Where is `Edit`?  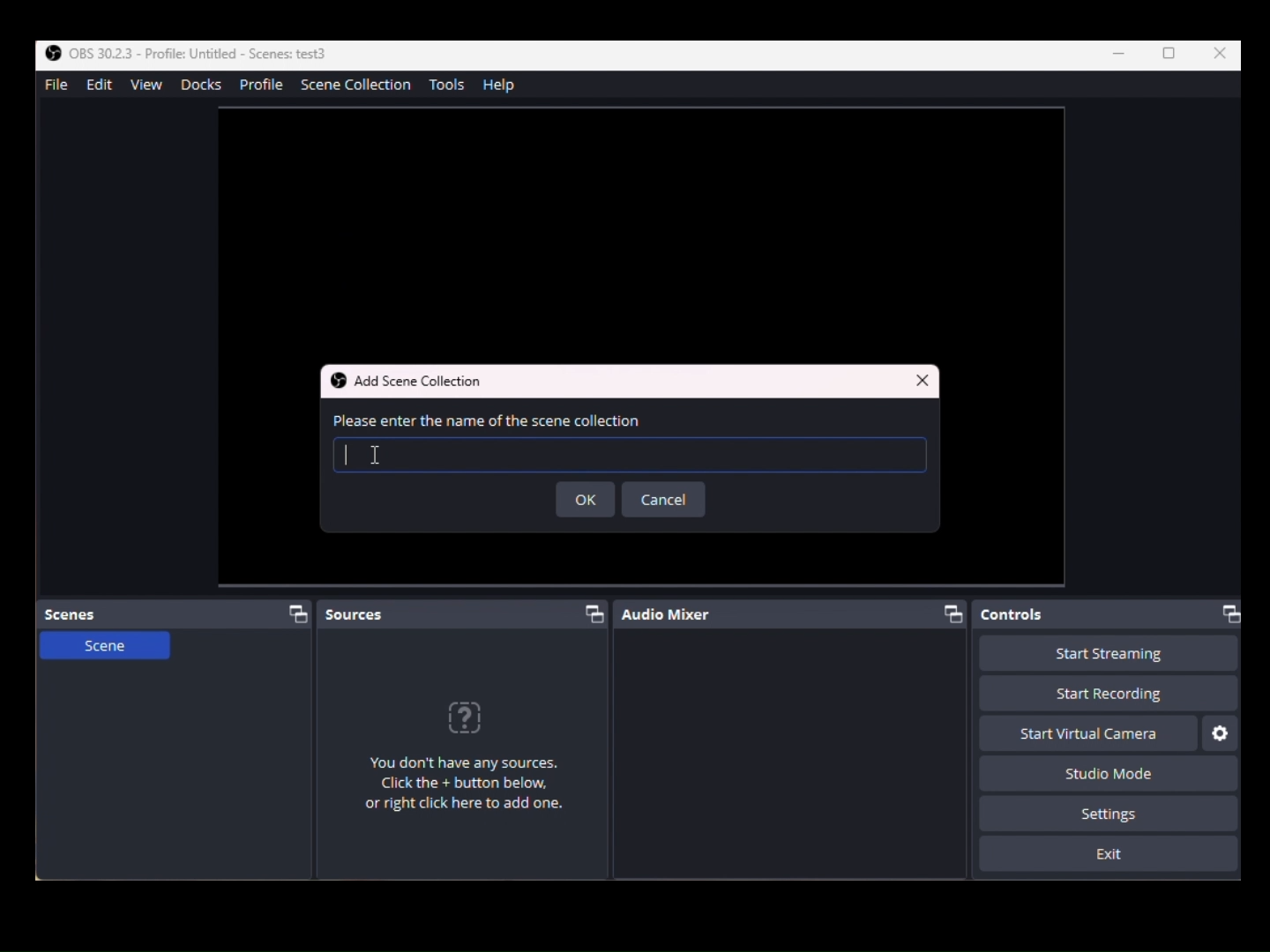
Edit is located at coordinates (96, 86).